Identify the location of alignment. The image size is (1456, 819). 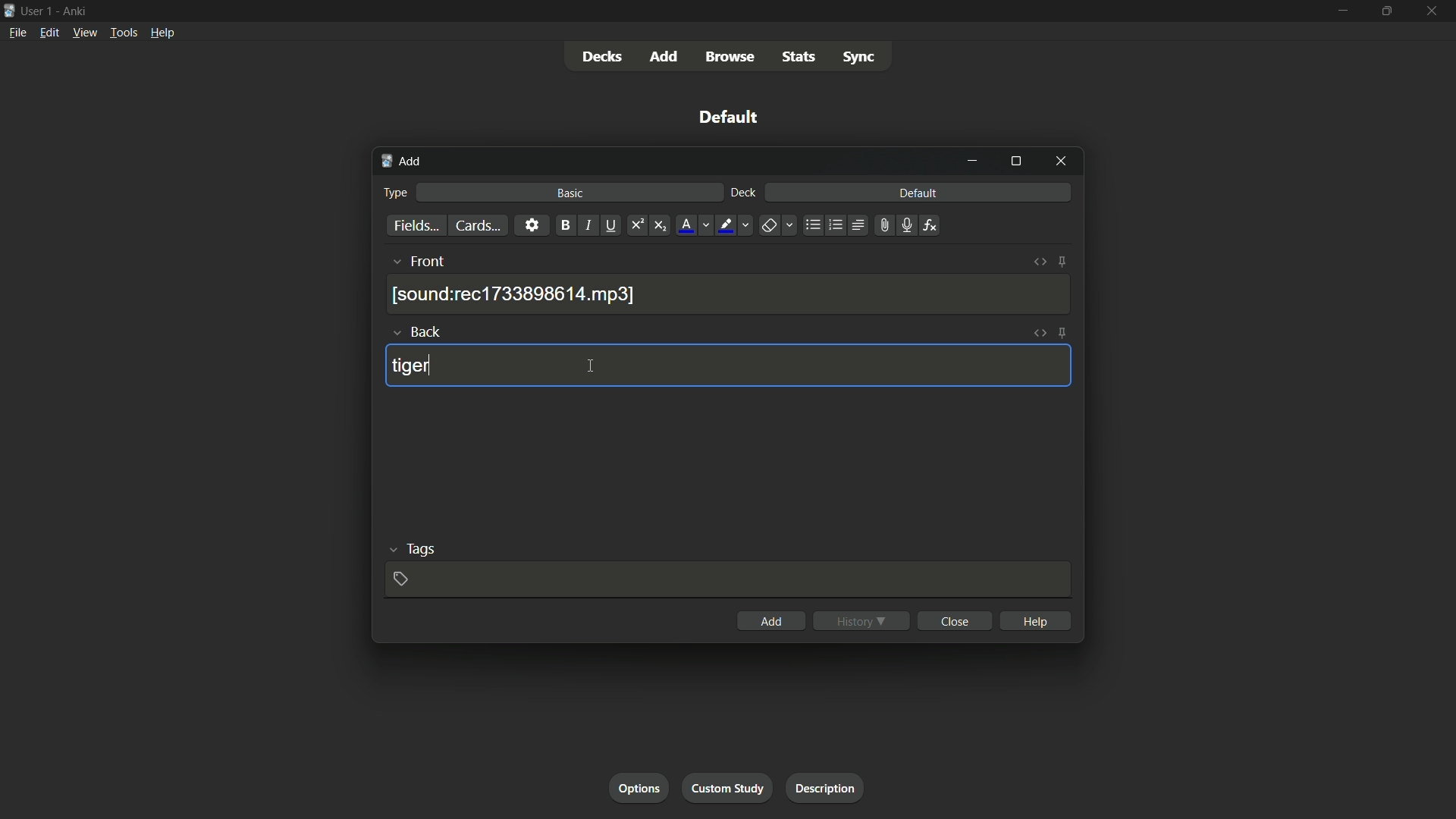
(858, 227).